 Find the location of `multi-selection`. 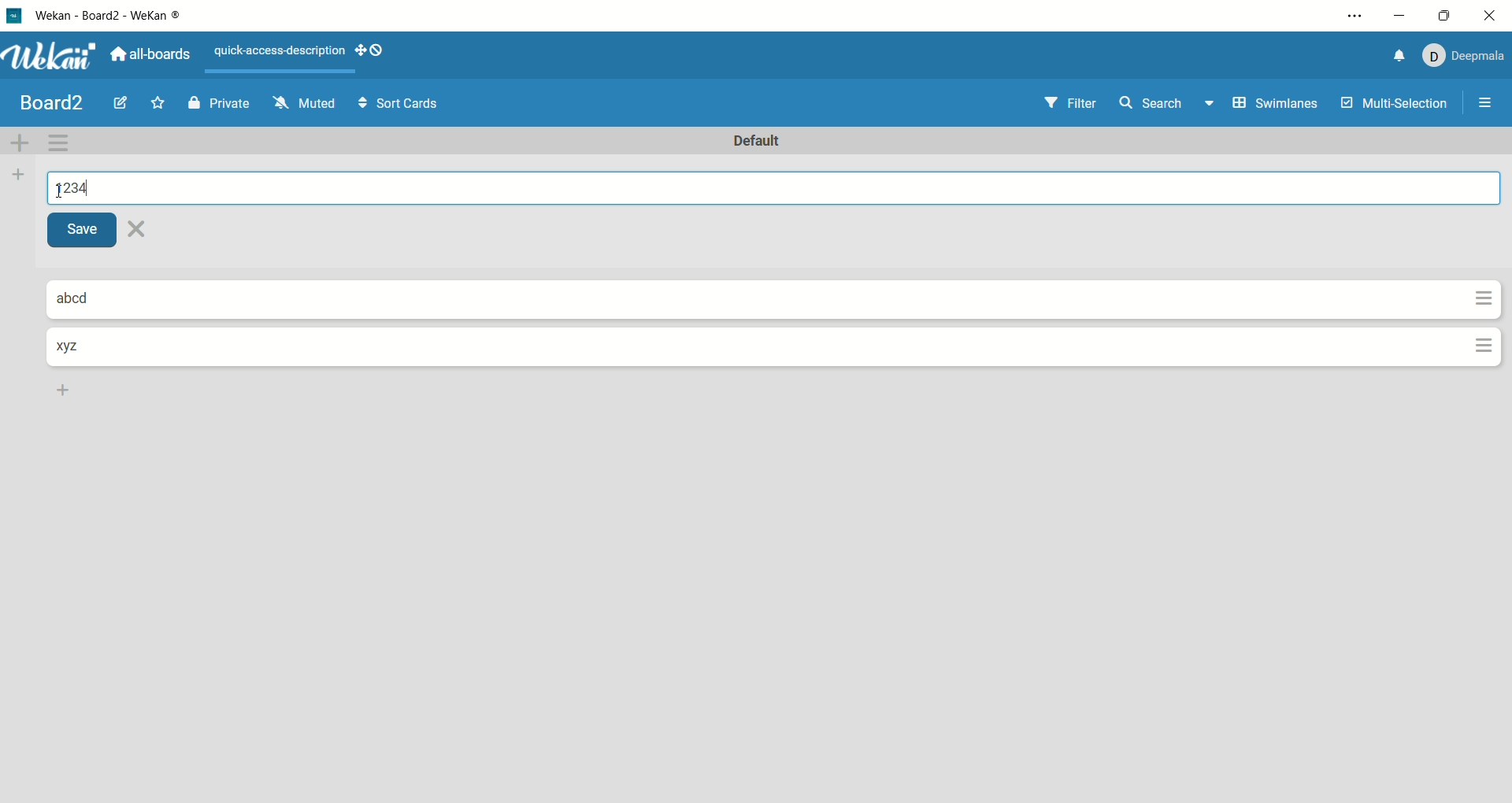

multi-selection is located at coordinates (1395, 105).